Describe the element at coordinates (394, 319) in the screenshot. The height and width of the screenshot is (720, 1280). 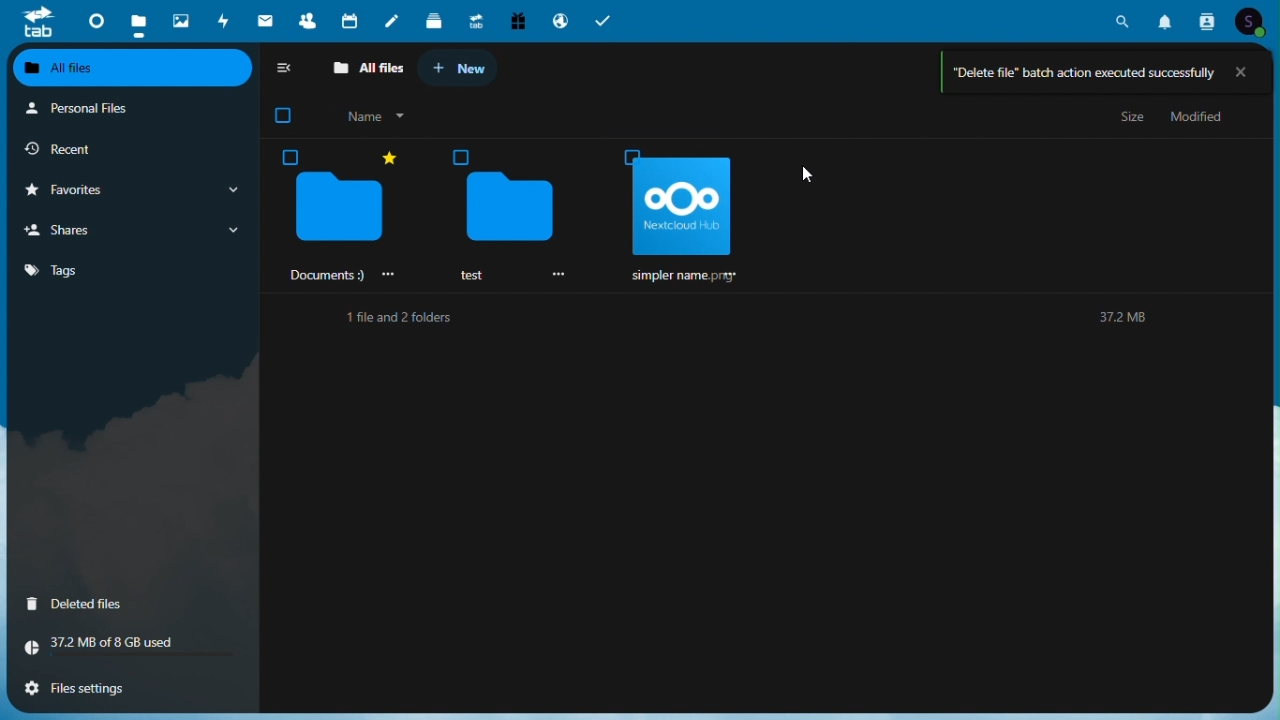
I see `Text` at that location.